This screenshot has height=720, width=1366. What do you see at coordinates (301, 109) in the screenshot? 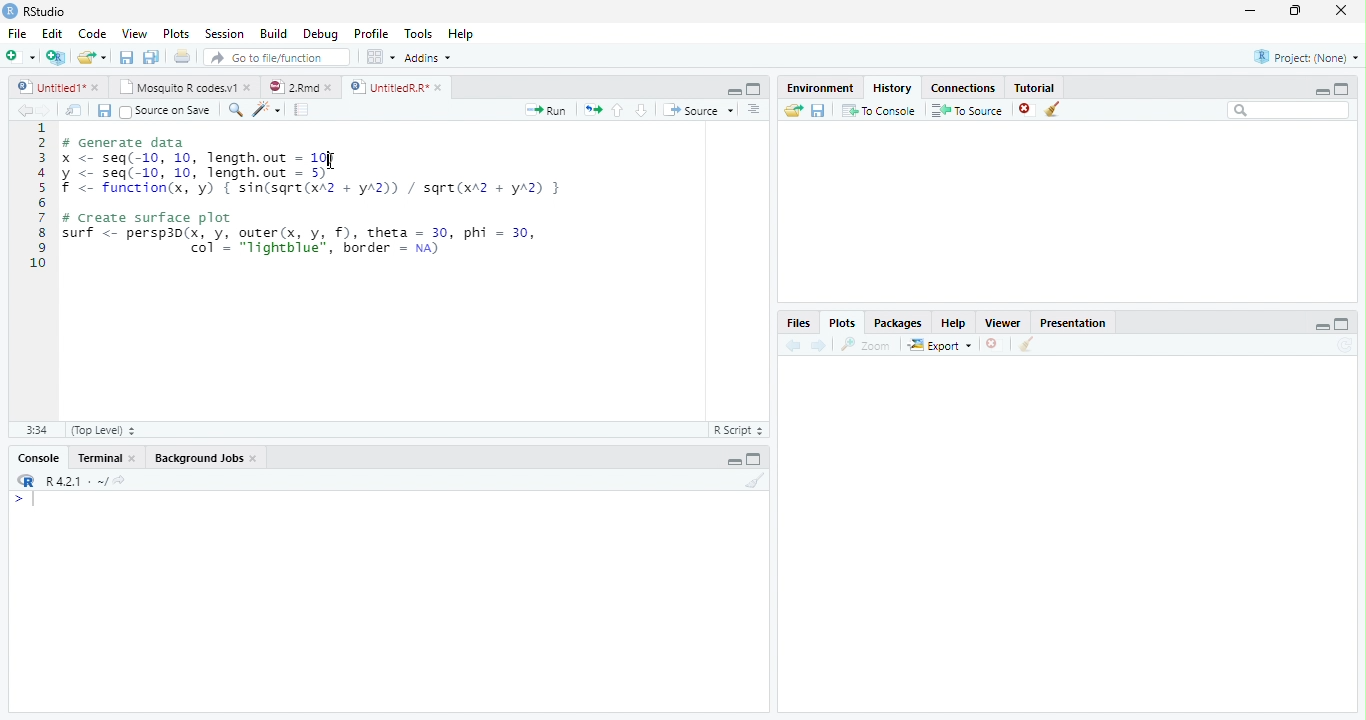
I see `Compile Report` at bounding box center [301, 109].